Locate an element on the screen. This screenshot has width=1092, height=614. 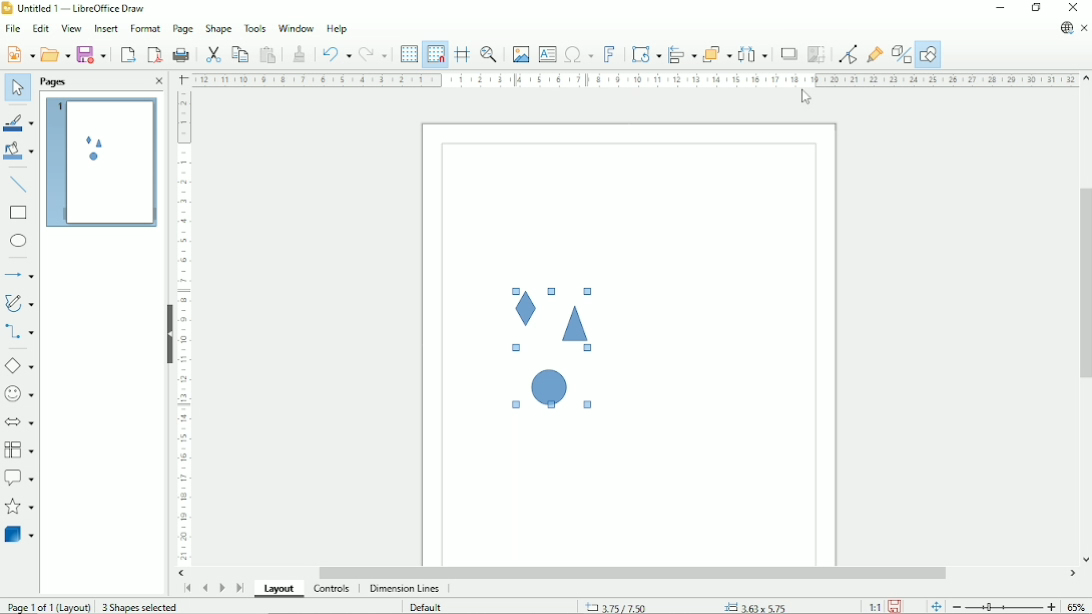
Transformations is located at coordinates (646, 55).